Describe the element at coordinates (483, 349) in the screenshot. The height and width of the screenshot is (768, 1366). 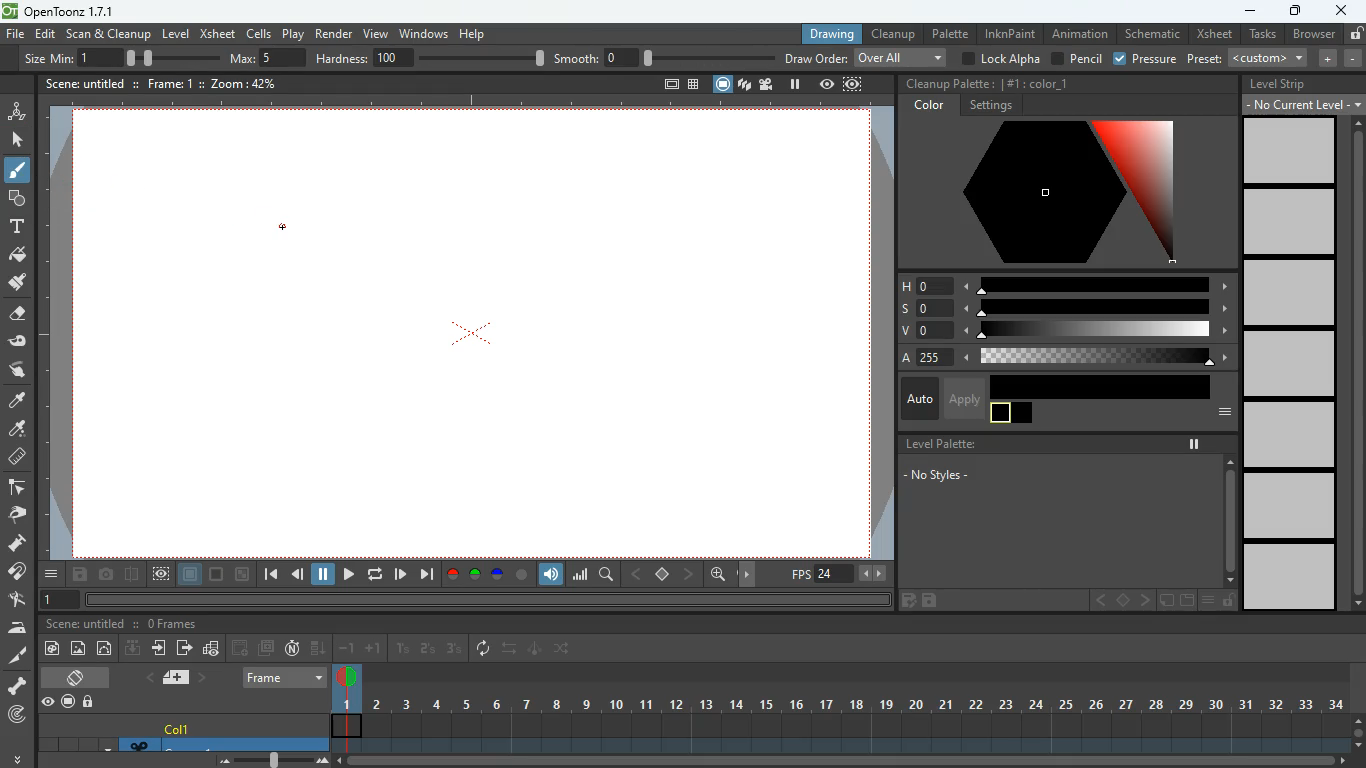
I see `screen` at that location.